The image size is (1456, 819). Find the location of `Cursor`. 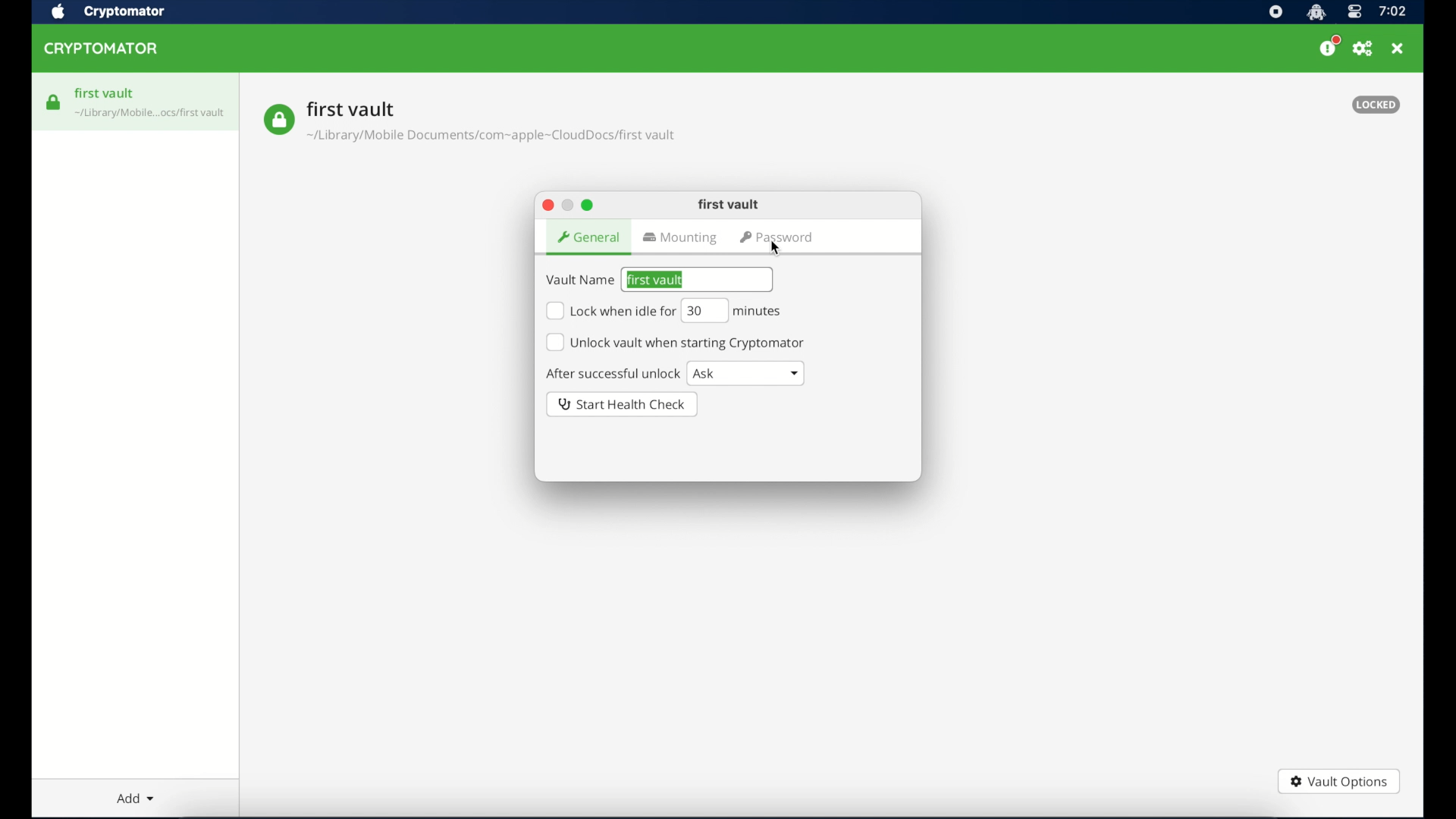

Cursor is located at coordinates (777, 246).